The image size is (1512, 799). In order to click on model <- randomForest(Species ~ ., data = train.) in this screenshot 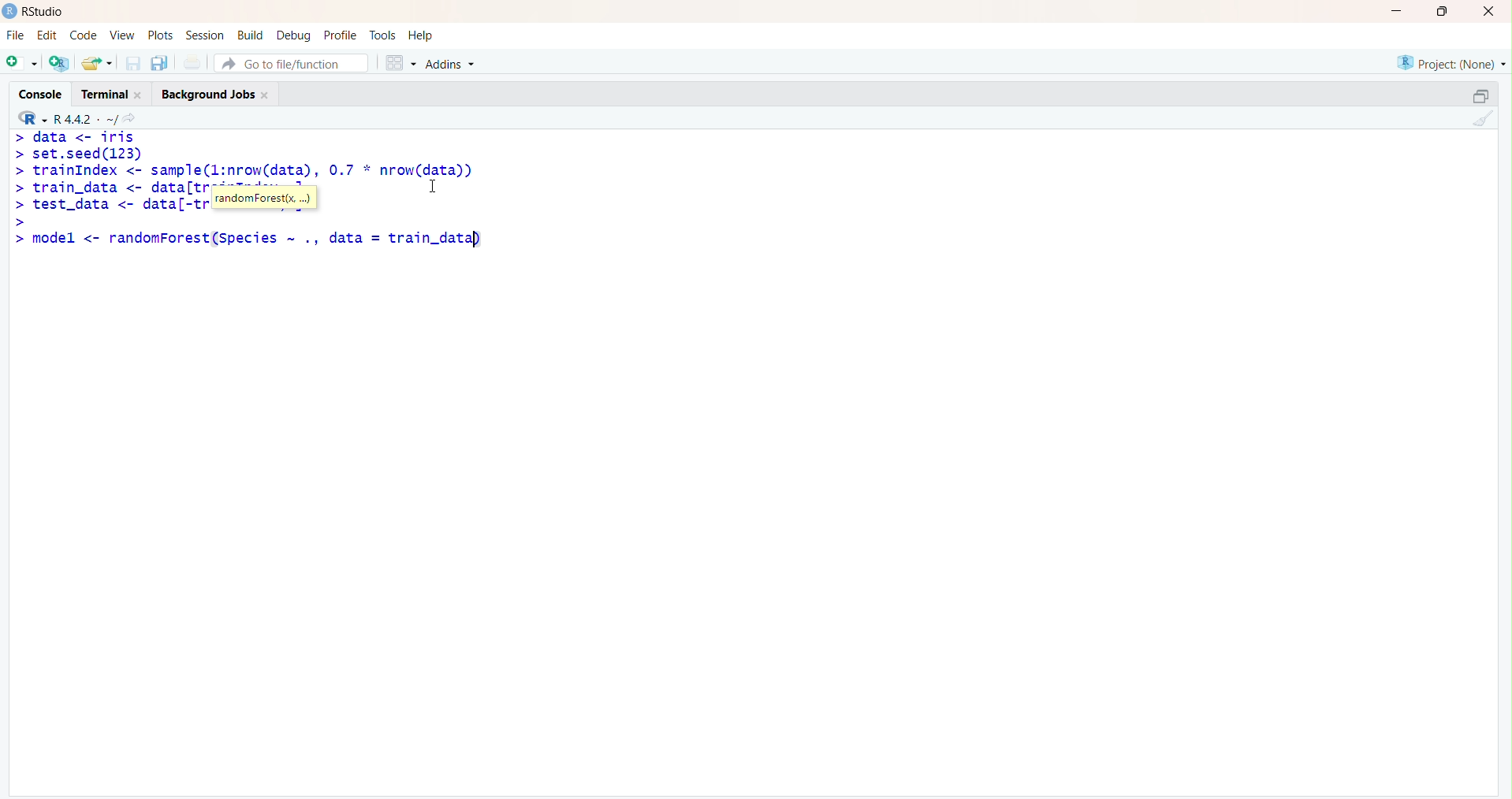, I will do `click(266, 238)`.